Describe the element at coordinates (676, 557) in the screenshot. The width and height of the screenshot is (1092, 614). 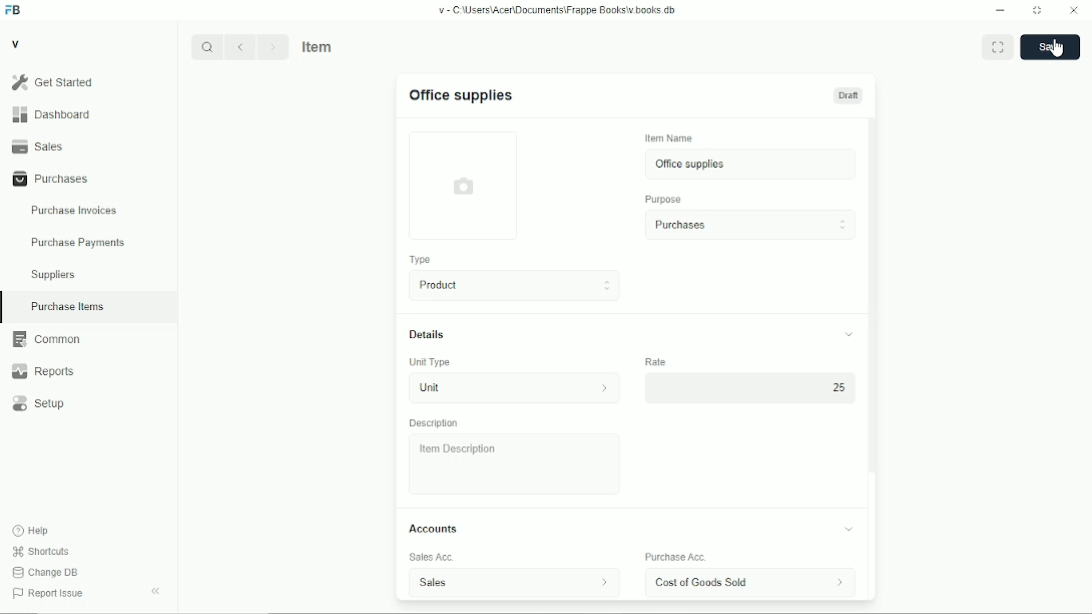
I see `purchase acc.` at that location.